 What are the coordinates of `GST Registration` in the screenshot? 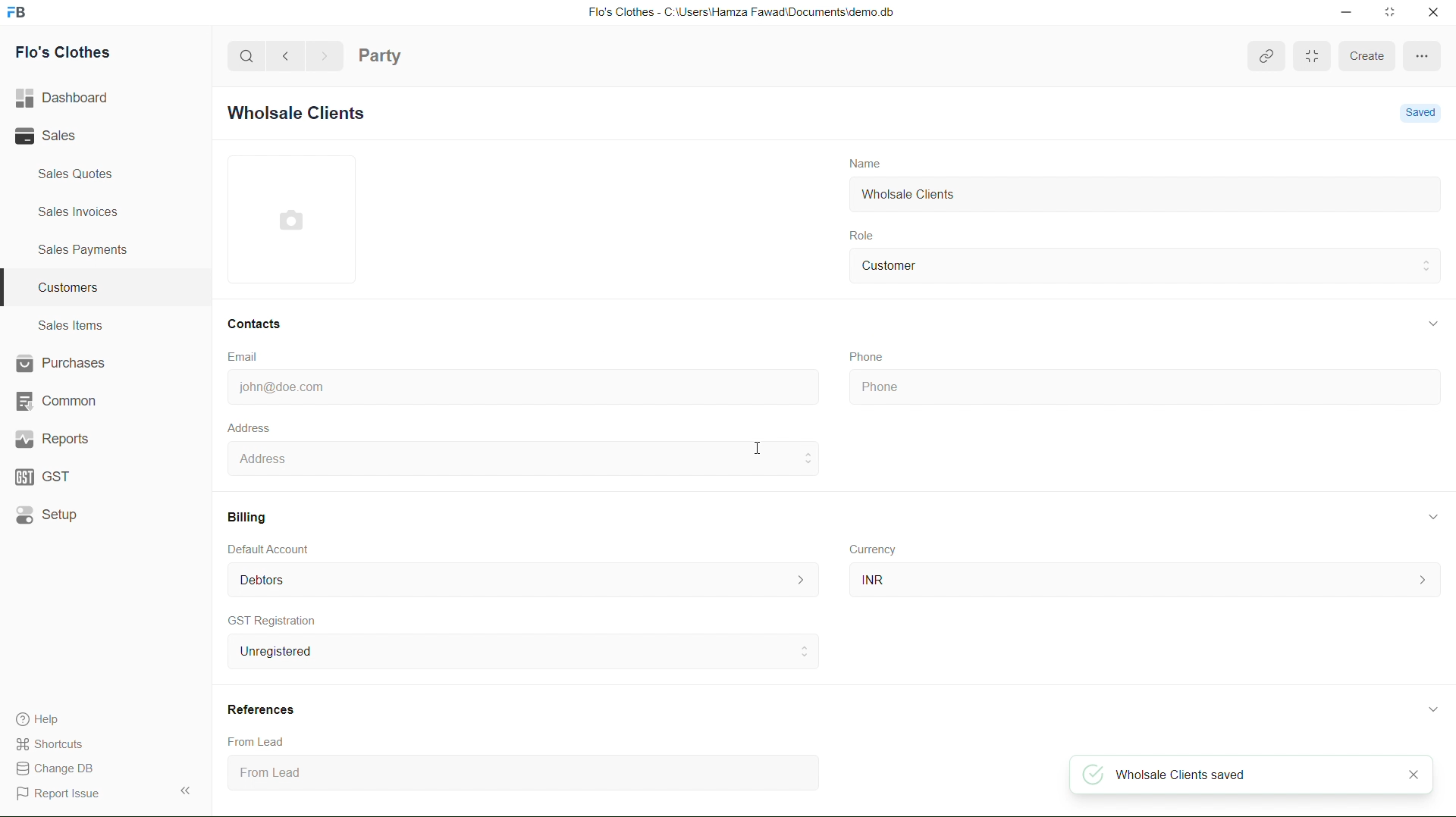 It's located at (274, 621).